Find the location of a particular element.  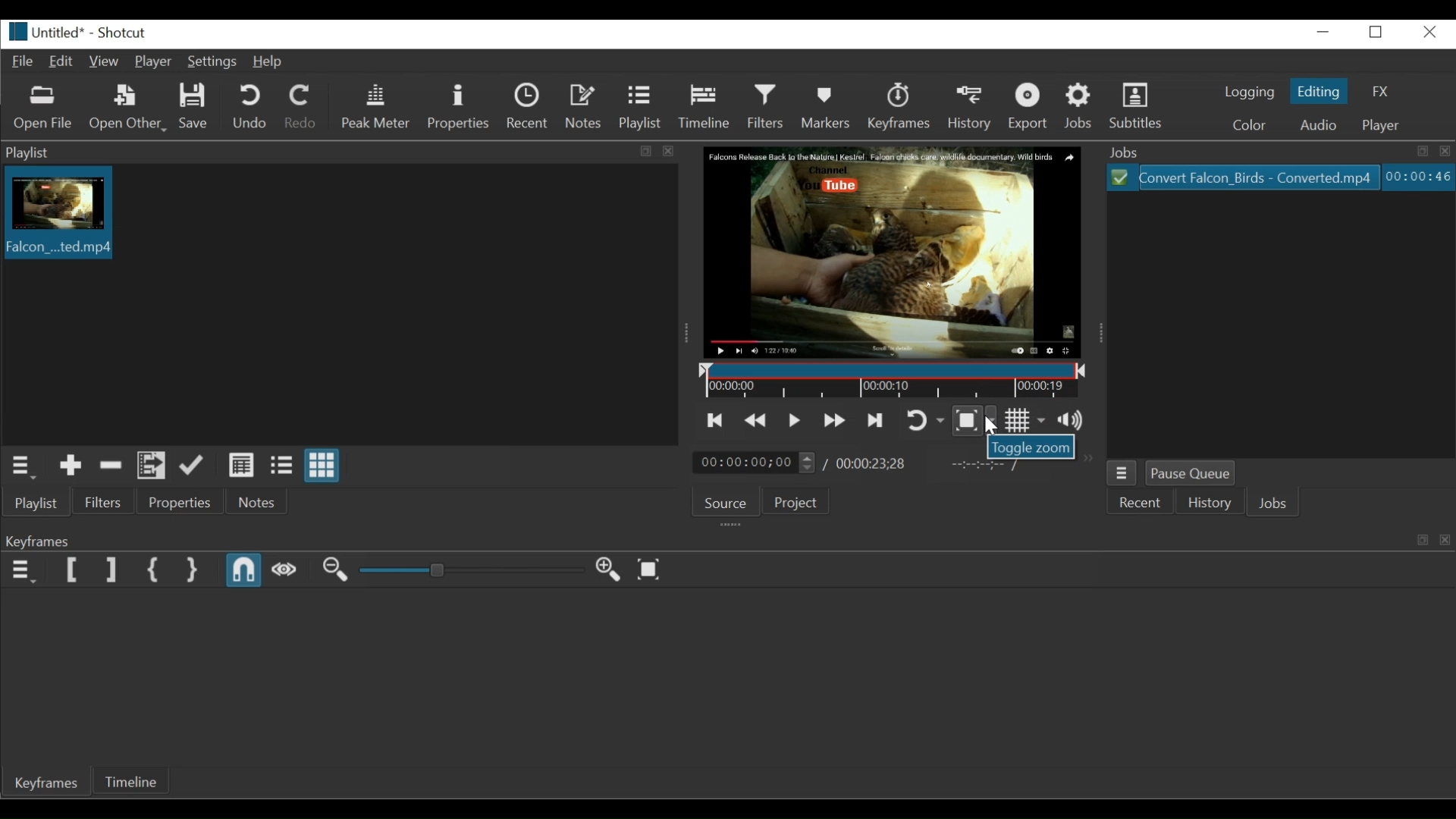

Recent is located at coordinates (1135, 502).